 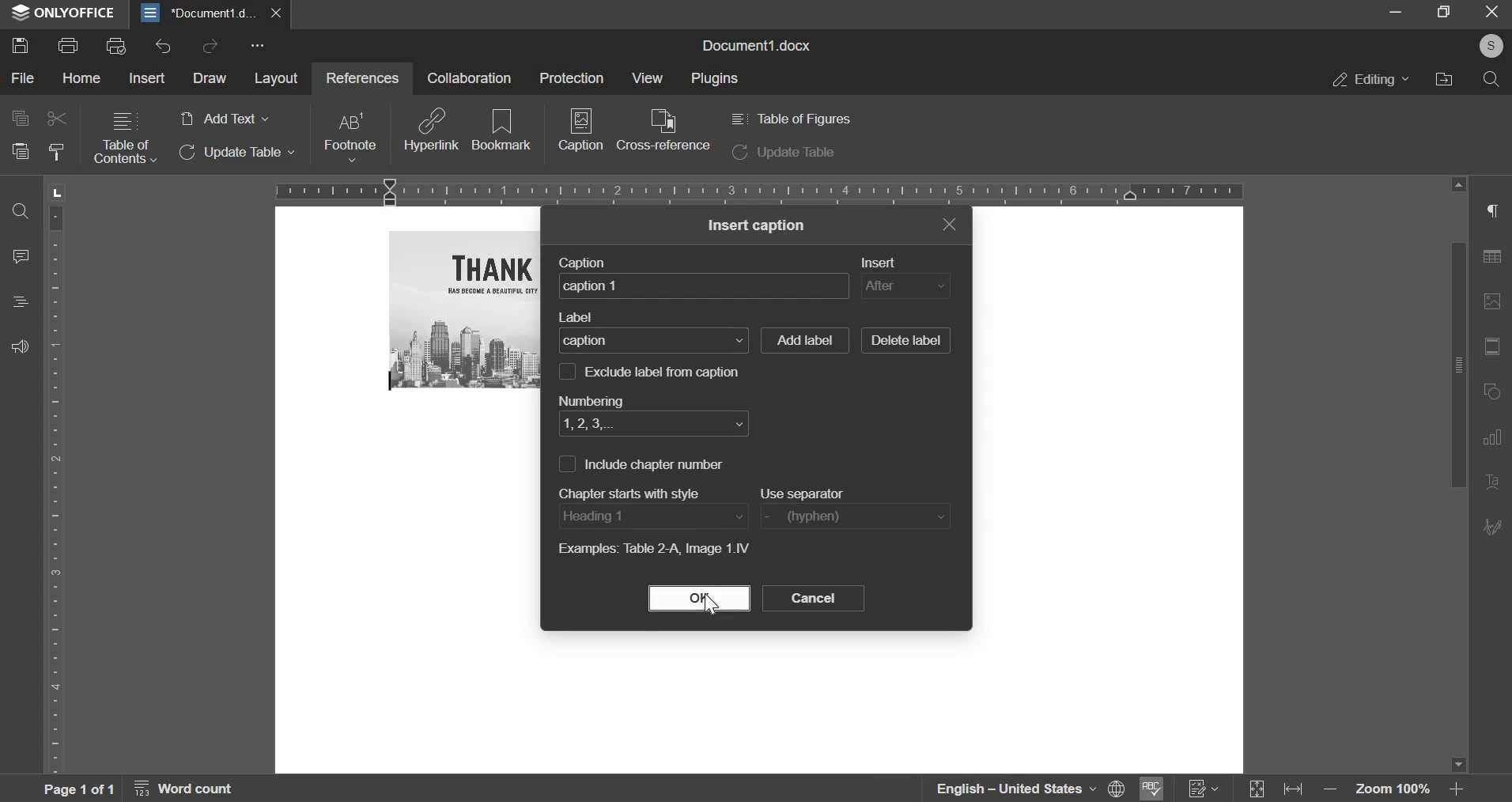 I want to click on references, so click(x=360, y=77).